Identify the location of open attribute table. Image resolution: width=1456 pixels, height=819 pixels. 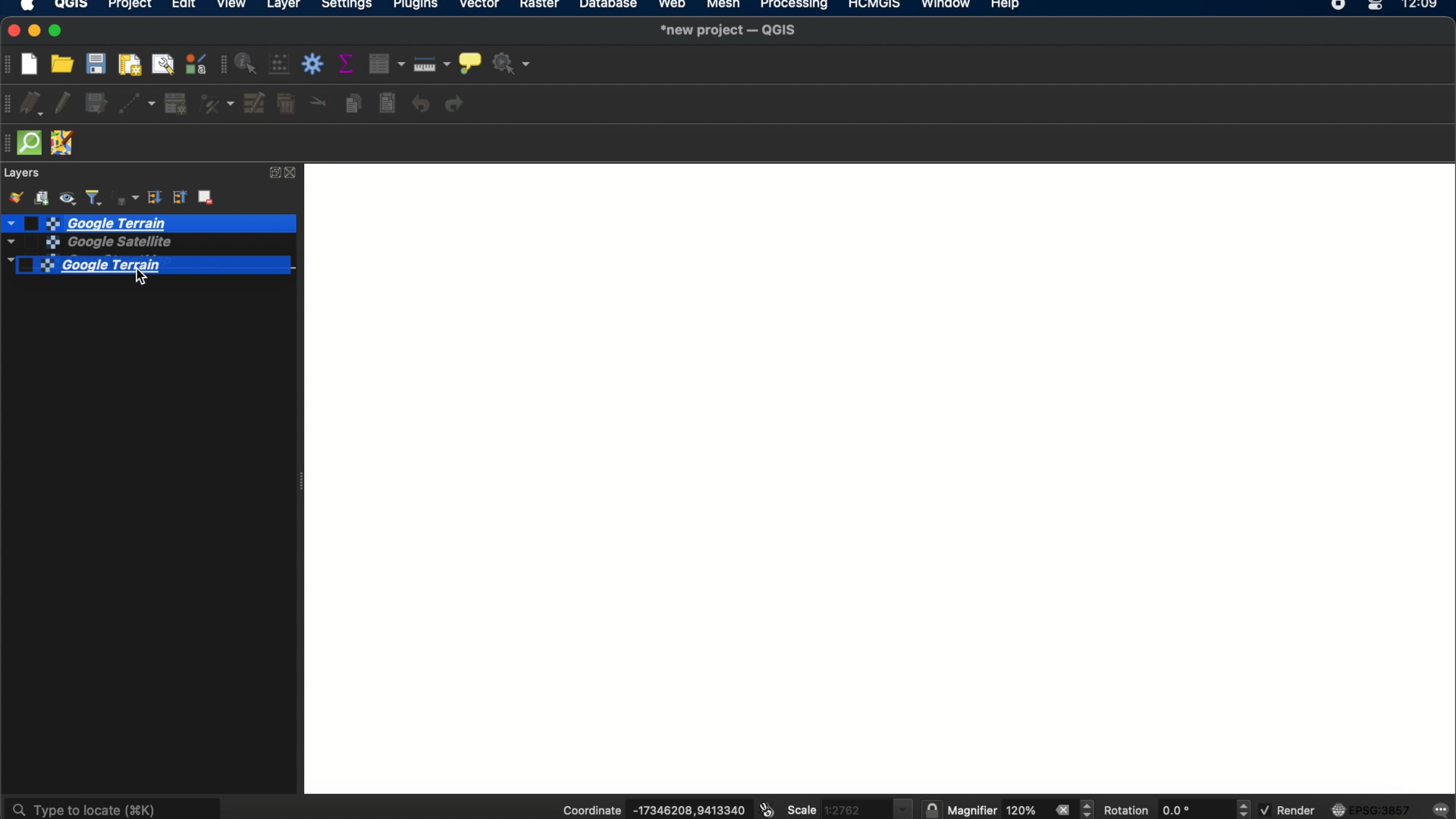
(389, 64).